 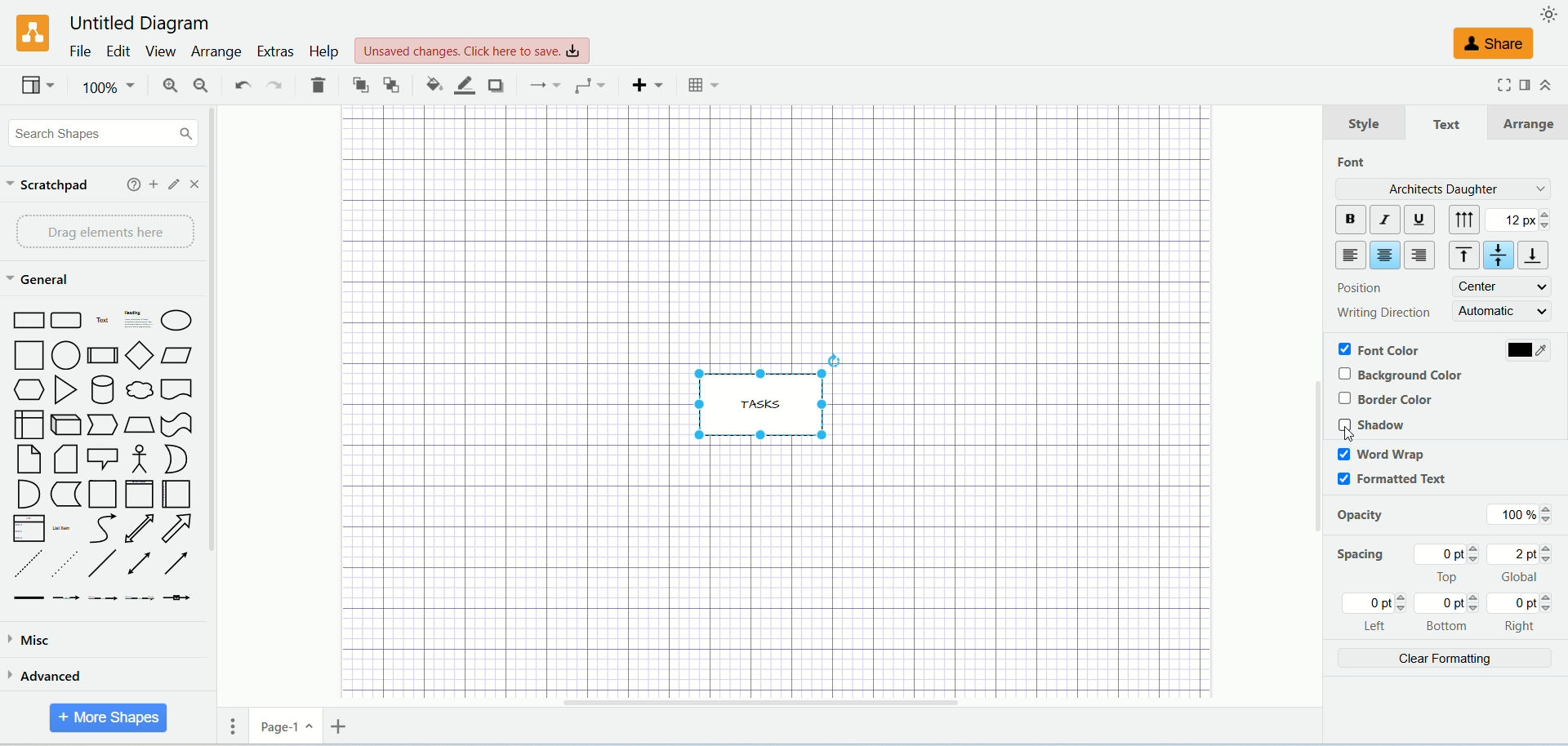 What do you see at coordinates (1350, 433) in the screenshot?
I see `Cursor` at bounding box center [1350, 433].